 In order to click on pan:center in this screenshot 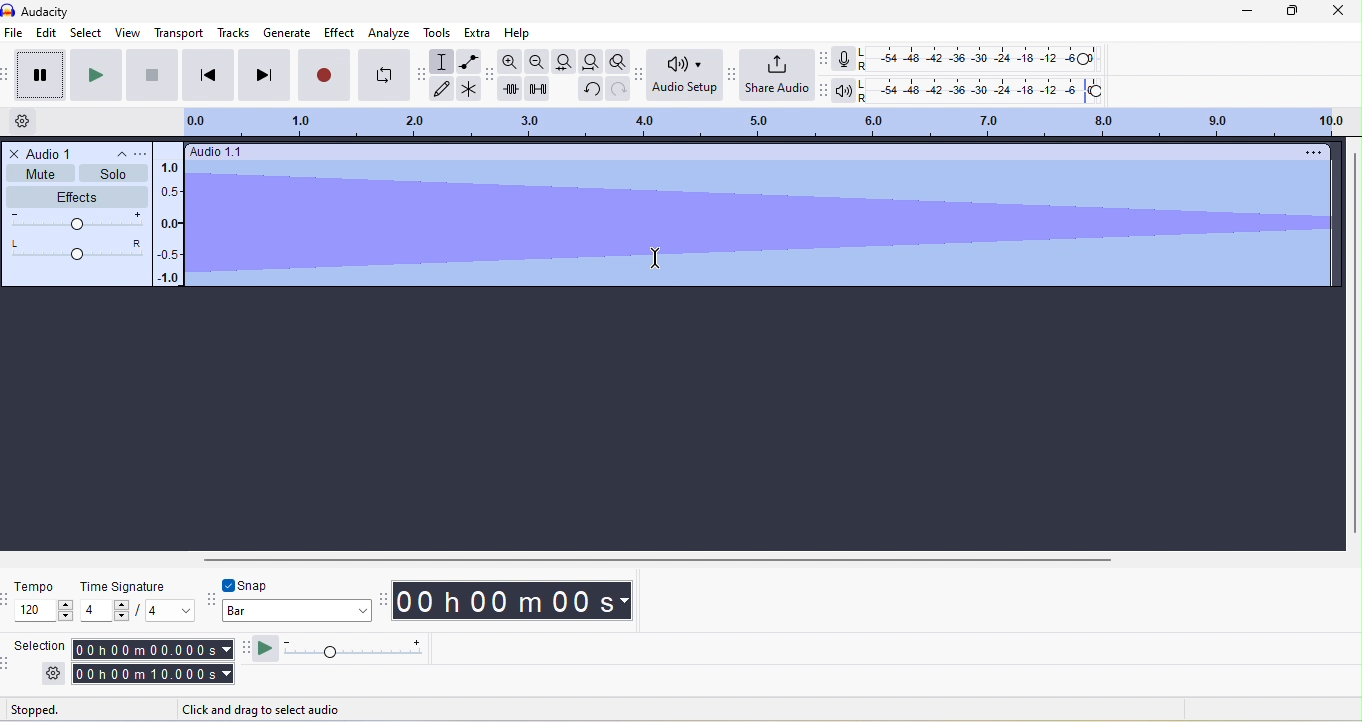, I will do `click(77, 249)`.